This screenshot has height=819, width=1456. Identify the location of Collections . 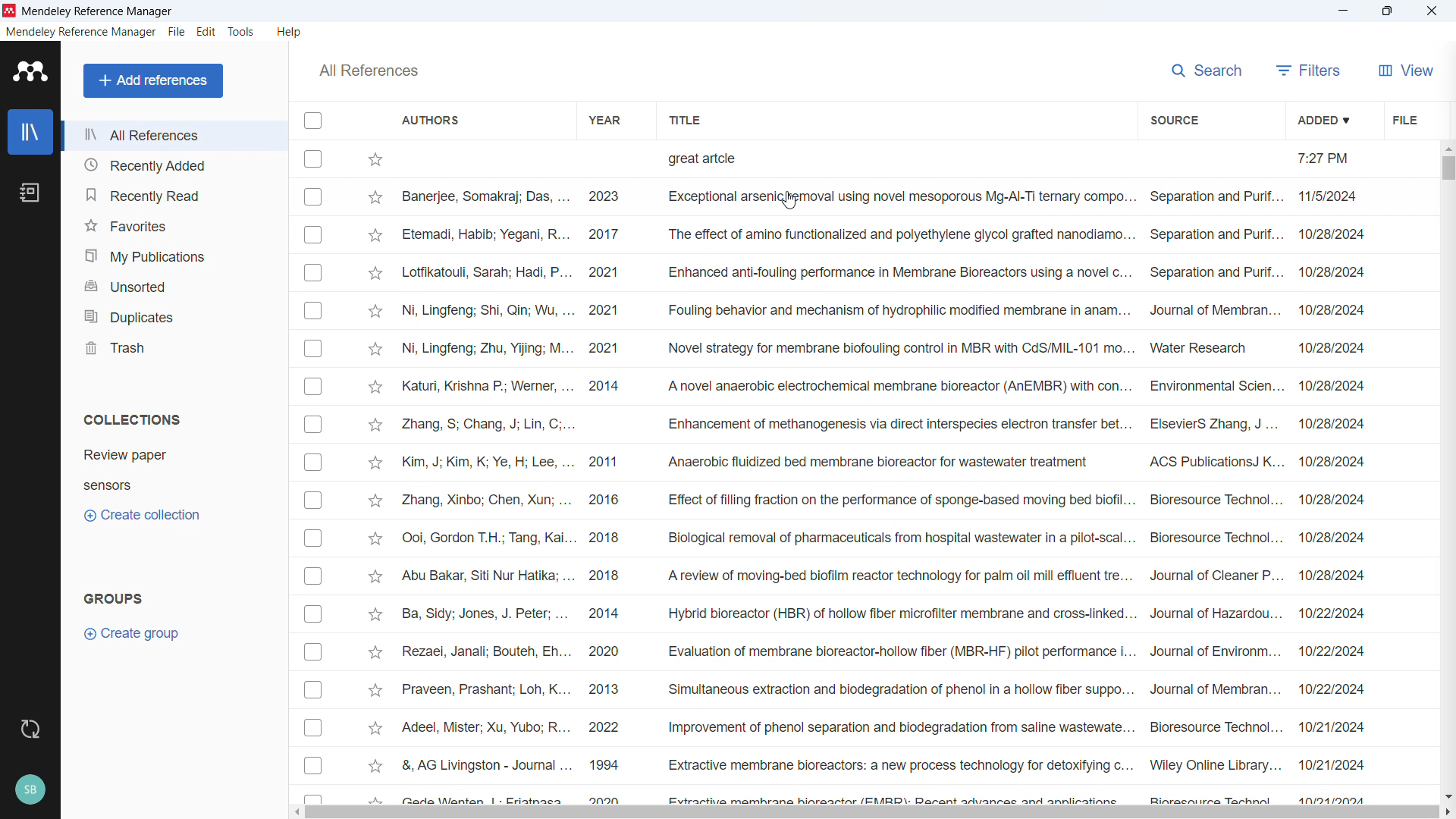
(133, 420).